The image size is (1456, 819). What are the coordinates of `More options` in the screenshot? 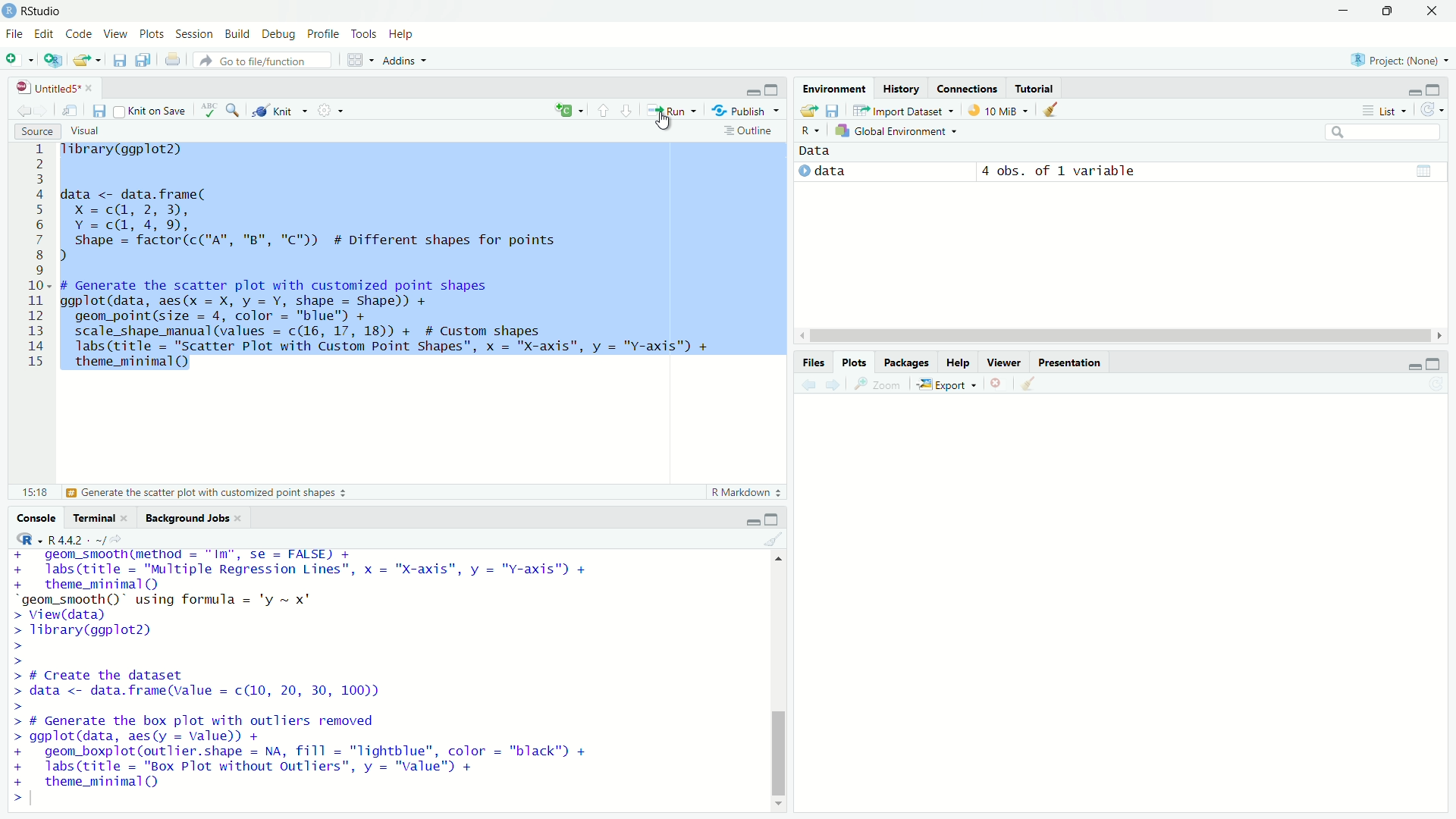 It's located at (330, 110).